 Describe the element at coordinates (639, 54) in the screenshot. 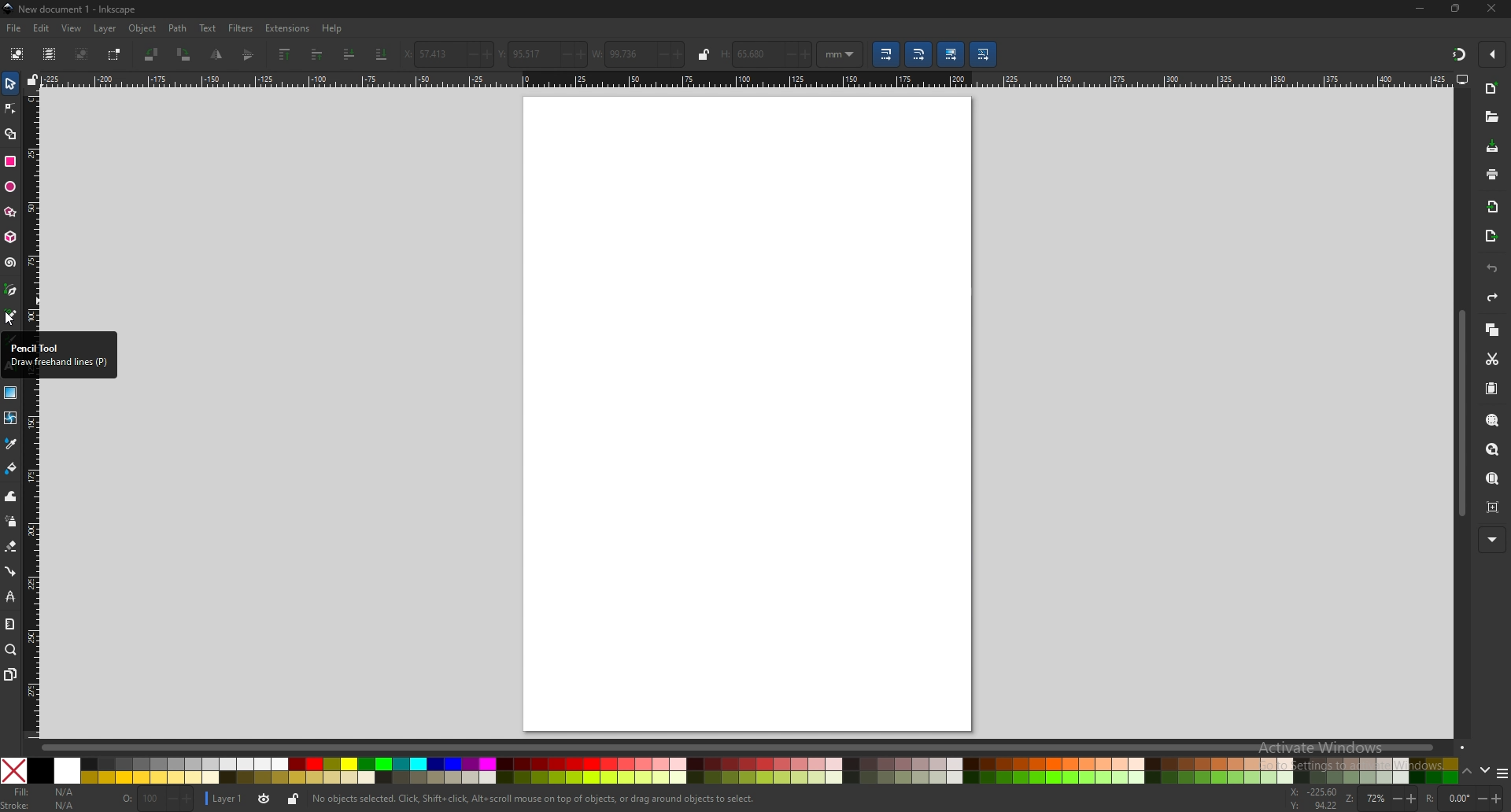

I see `width` at that location.